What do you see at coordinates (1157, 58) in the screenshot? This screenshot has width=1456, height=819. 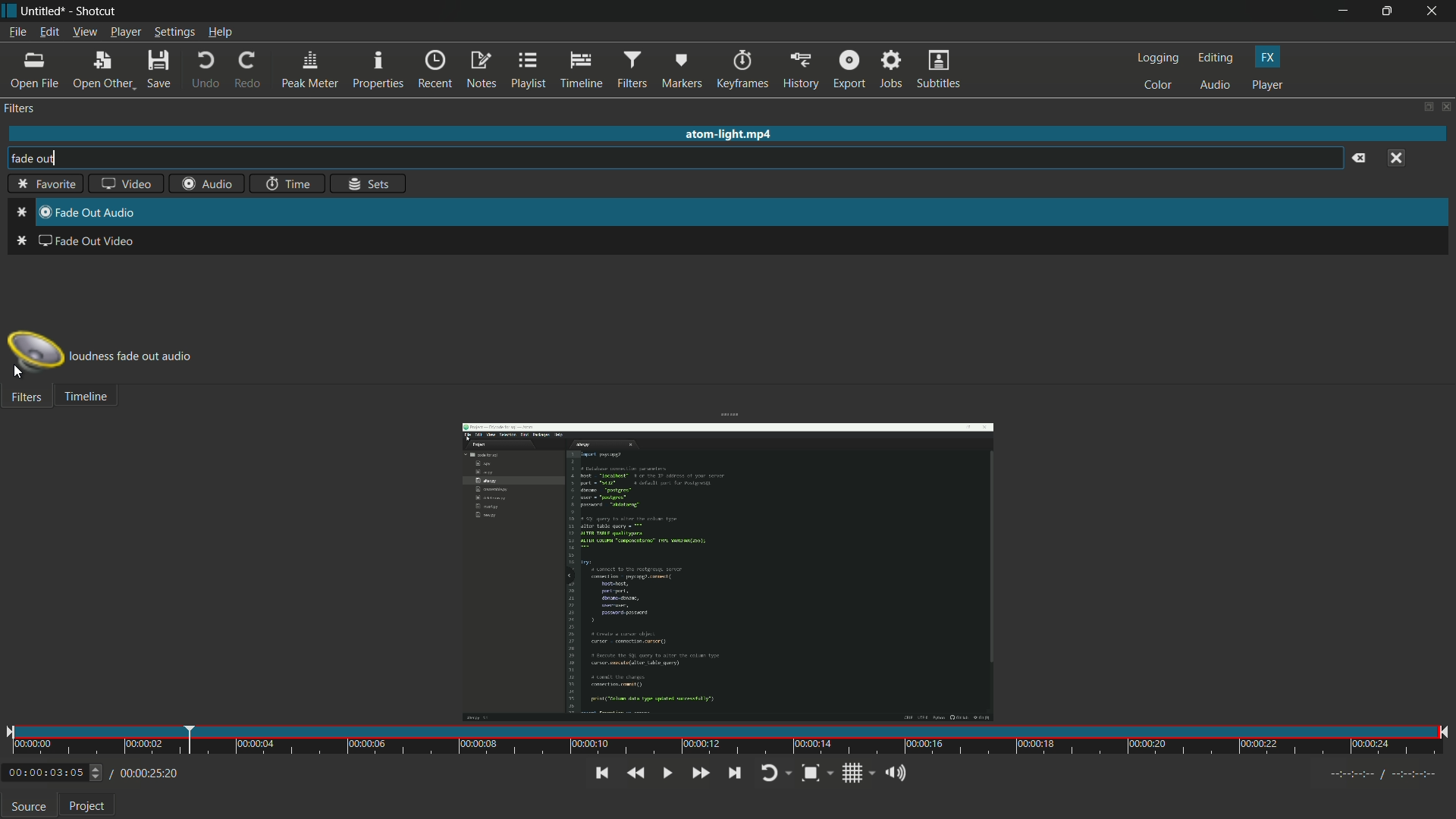 I see `logging` at bounding box center [1157, 58].